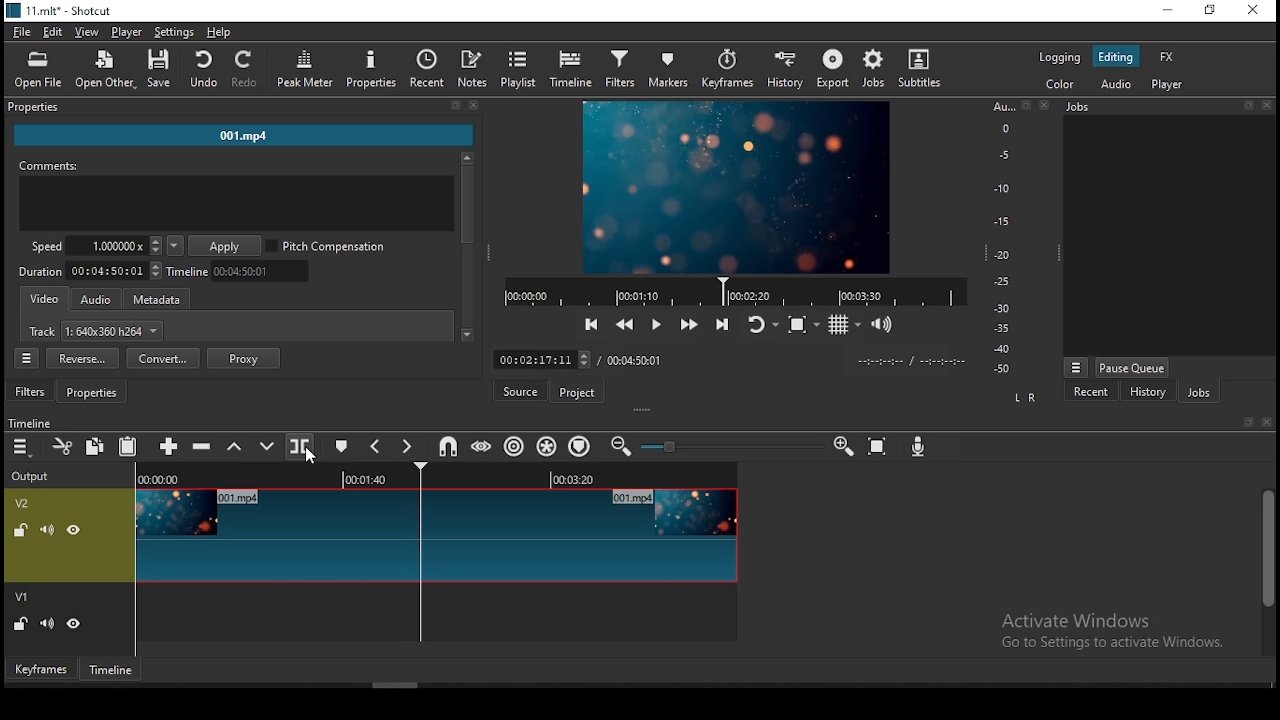 This screenshot has width=1280, height=720. Describe the element at coordinates (923, 69) in the screenshot. I see `subtitles` at that location.